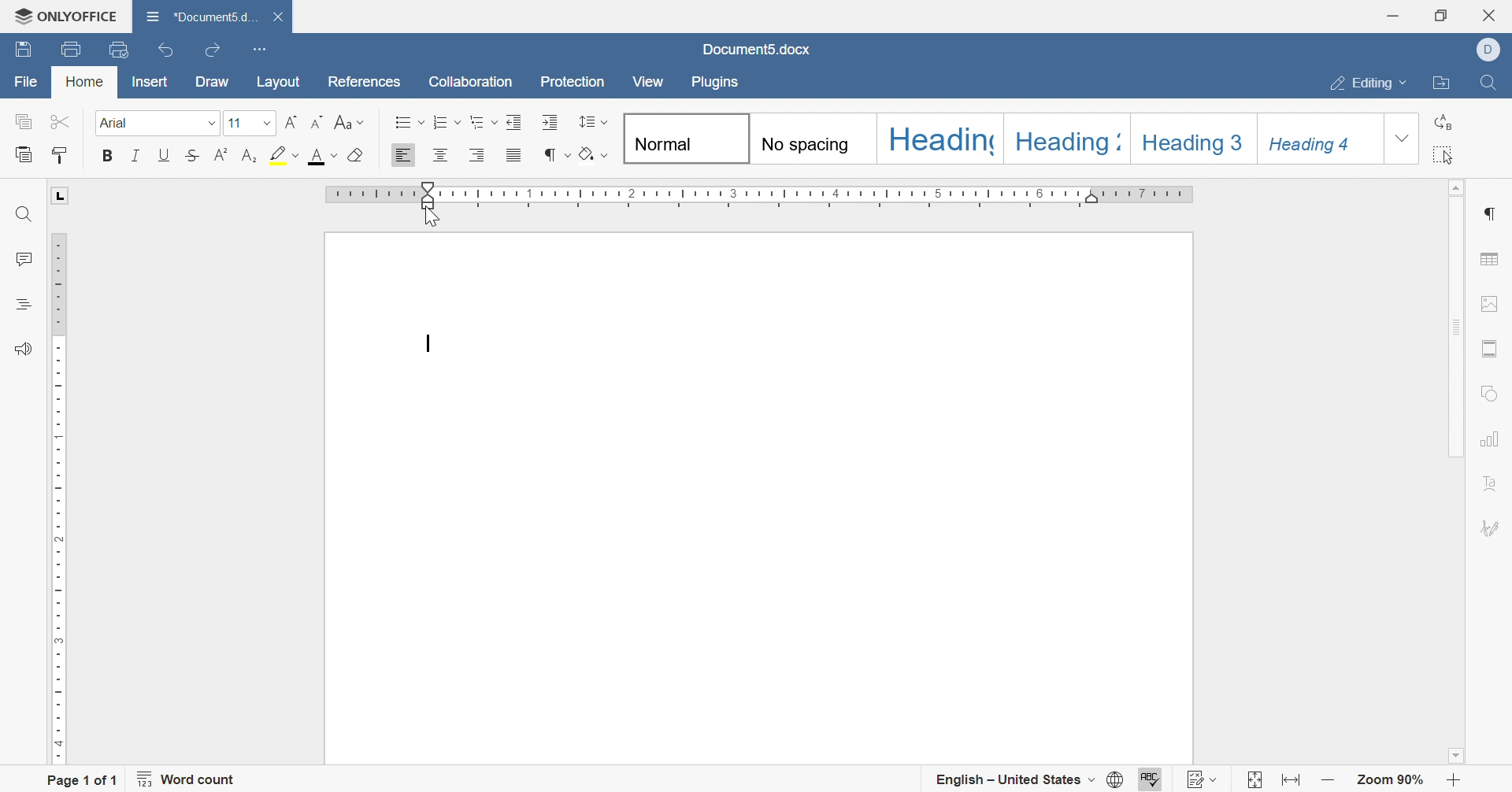  What do you see at coordinates (650, 82) in the screenshot?
I see `view` at bounding box center [650, 82].